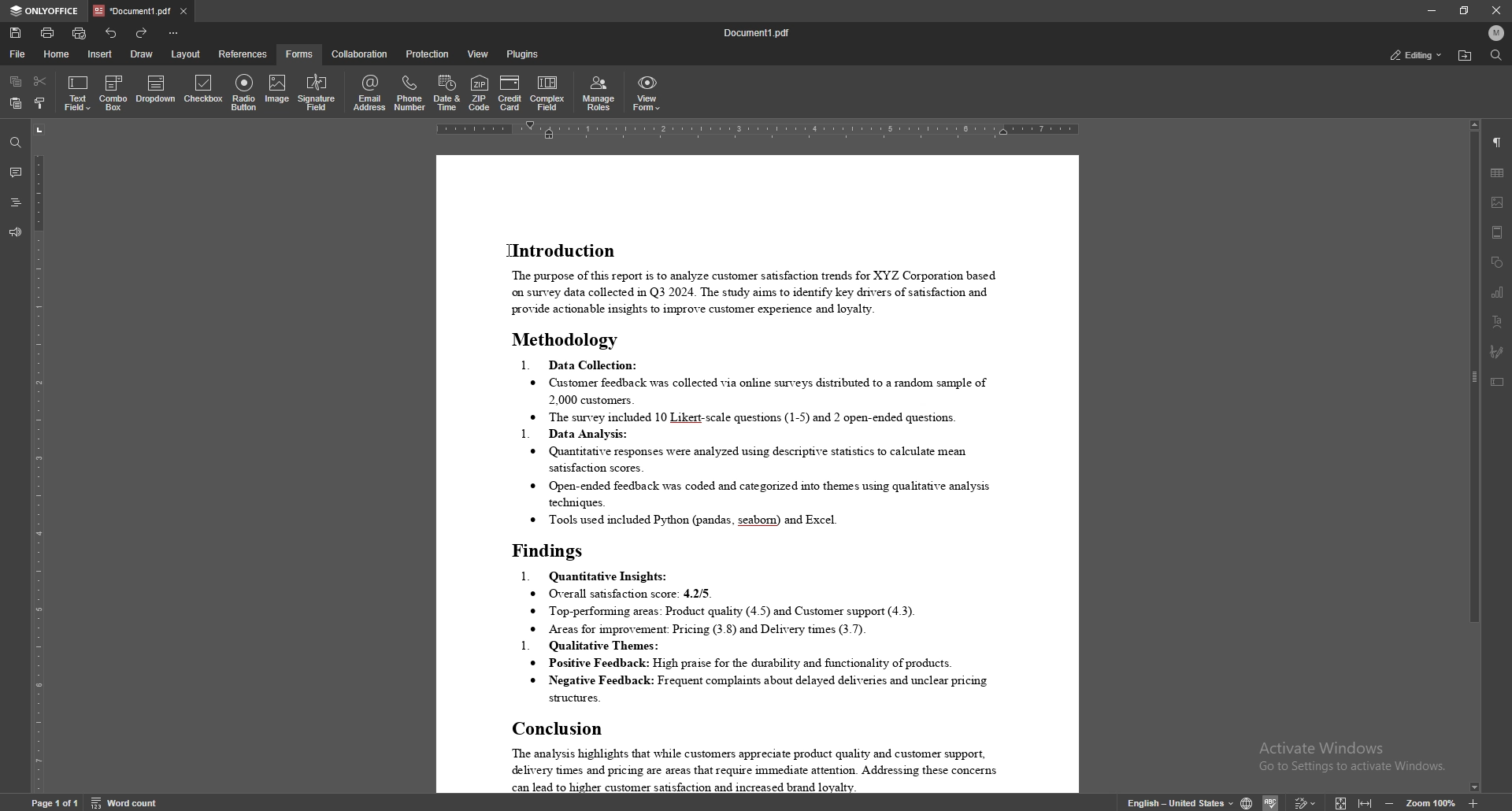 This screenshot has height=811, width=1512. I want to click on home, so click(56, 54).